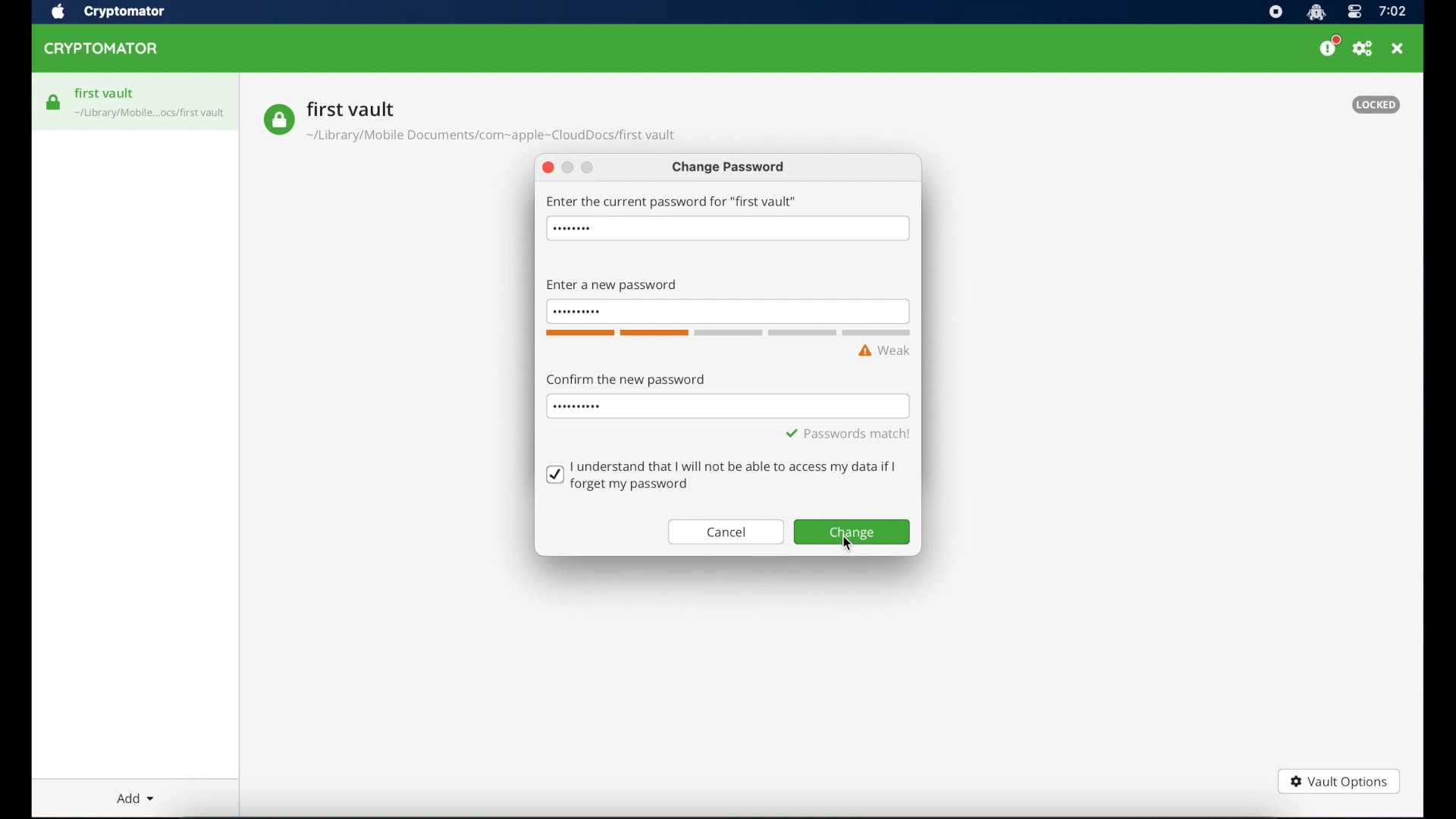  Describe the element at coordinates (124, 13) in the screenshot. I see `crytptomator` at that location.